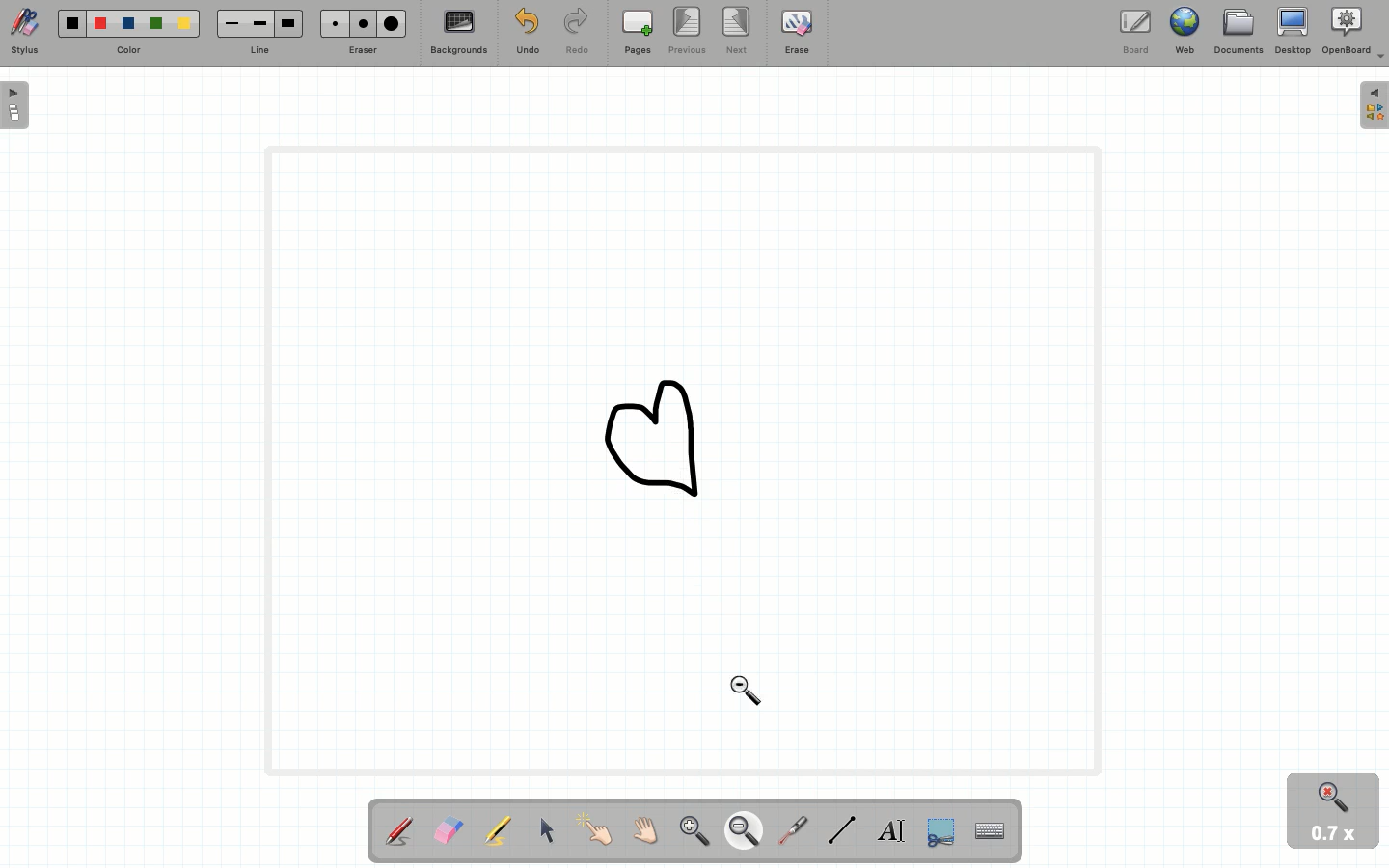 This screenshot has width=1389, height=868. Describe the element at coordinates (890, 829) in the screenshot. I see `Textbox` at that location.